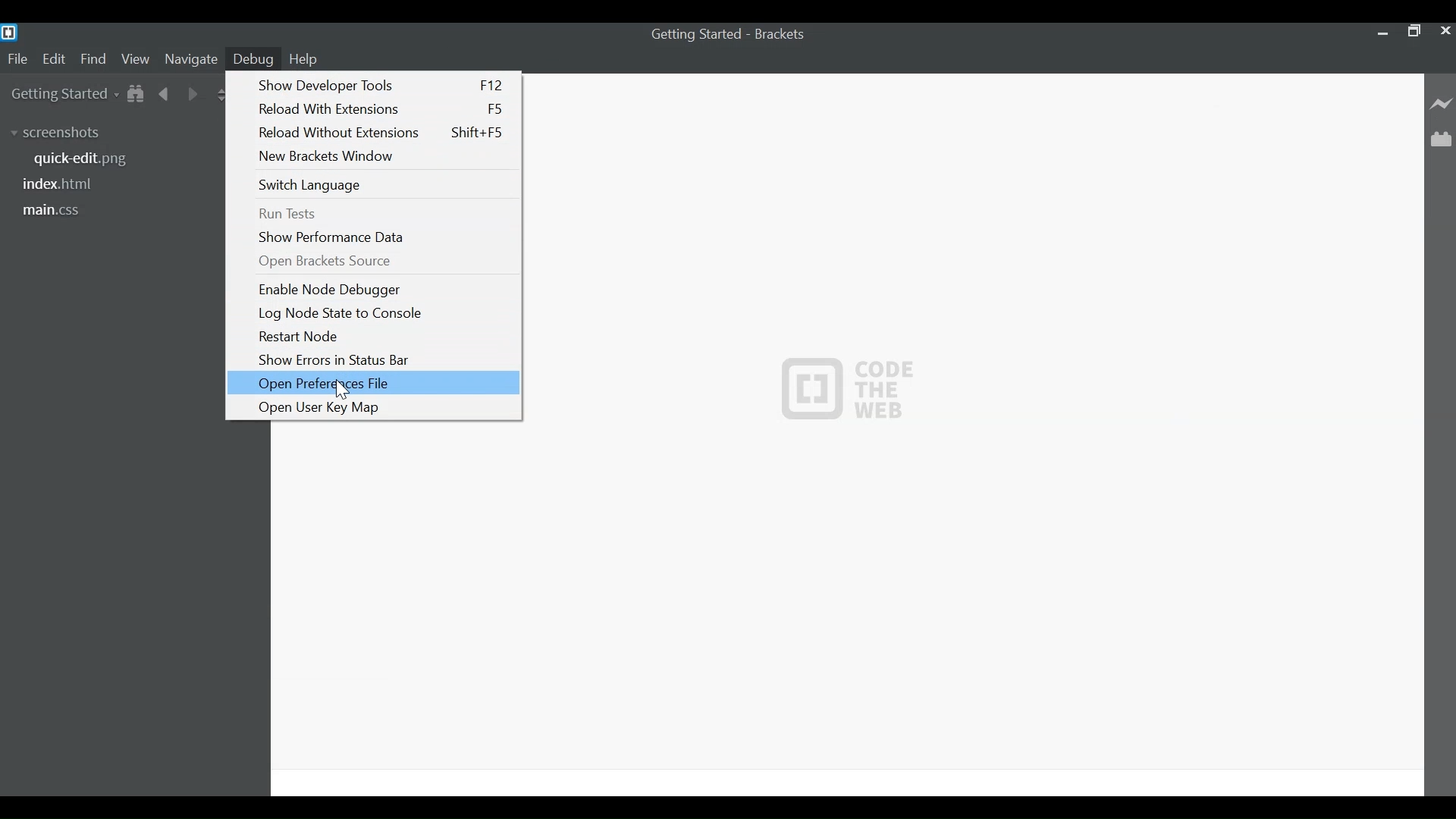 This screenshot has width=1456, height=819. What do you see at coordinates (374, 383) in the screenshot?
I see `Open Preferences File` at bounding box center [374, 383].